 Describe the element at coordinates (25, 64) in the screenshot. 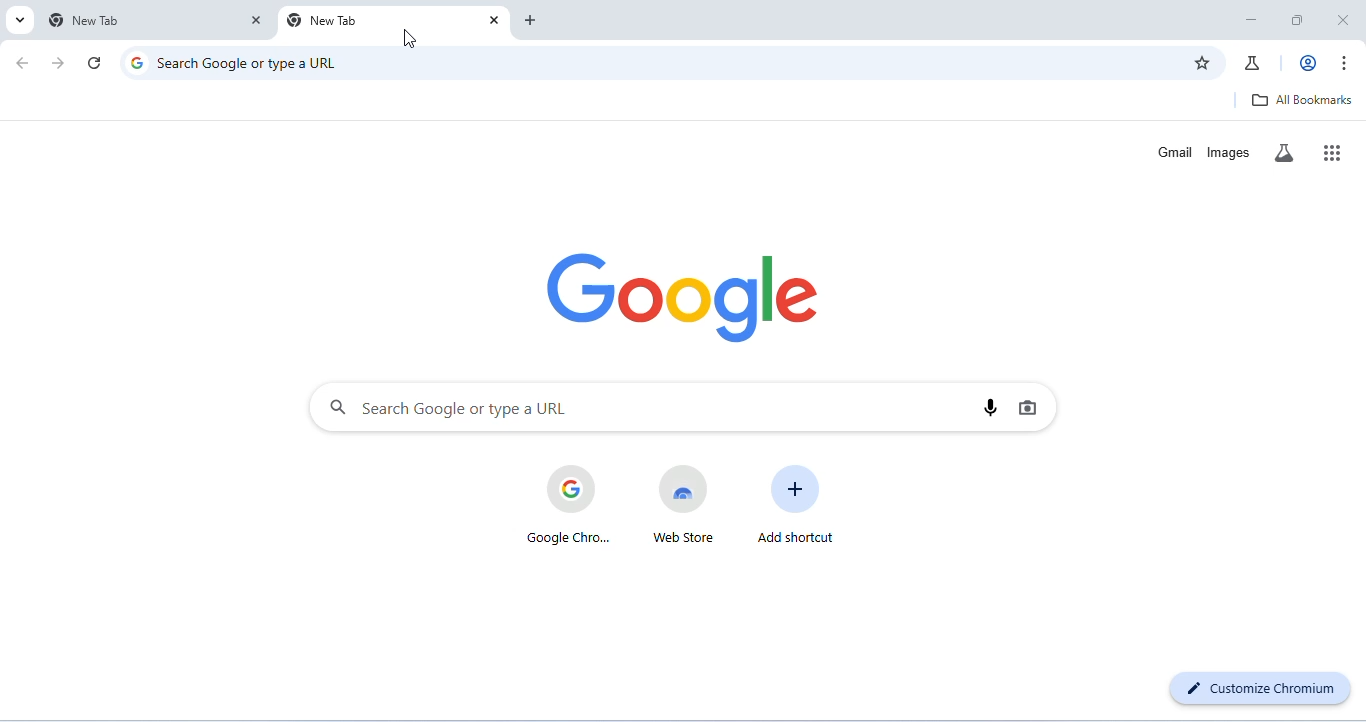

I see `go back` at that location.